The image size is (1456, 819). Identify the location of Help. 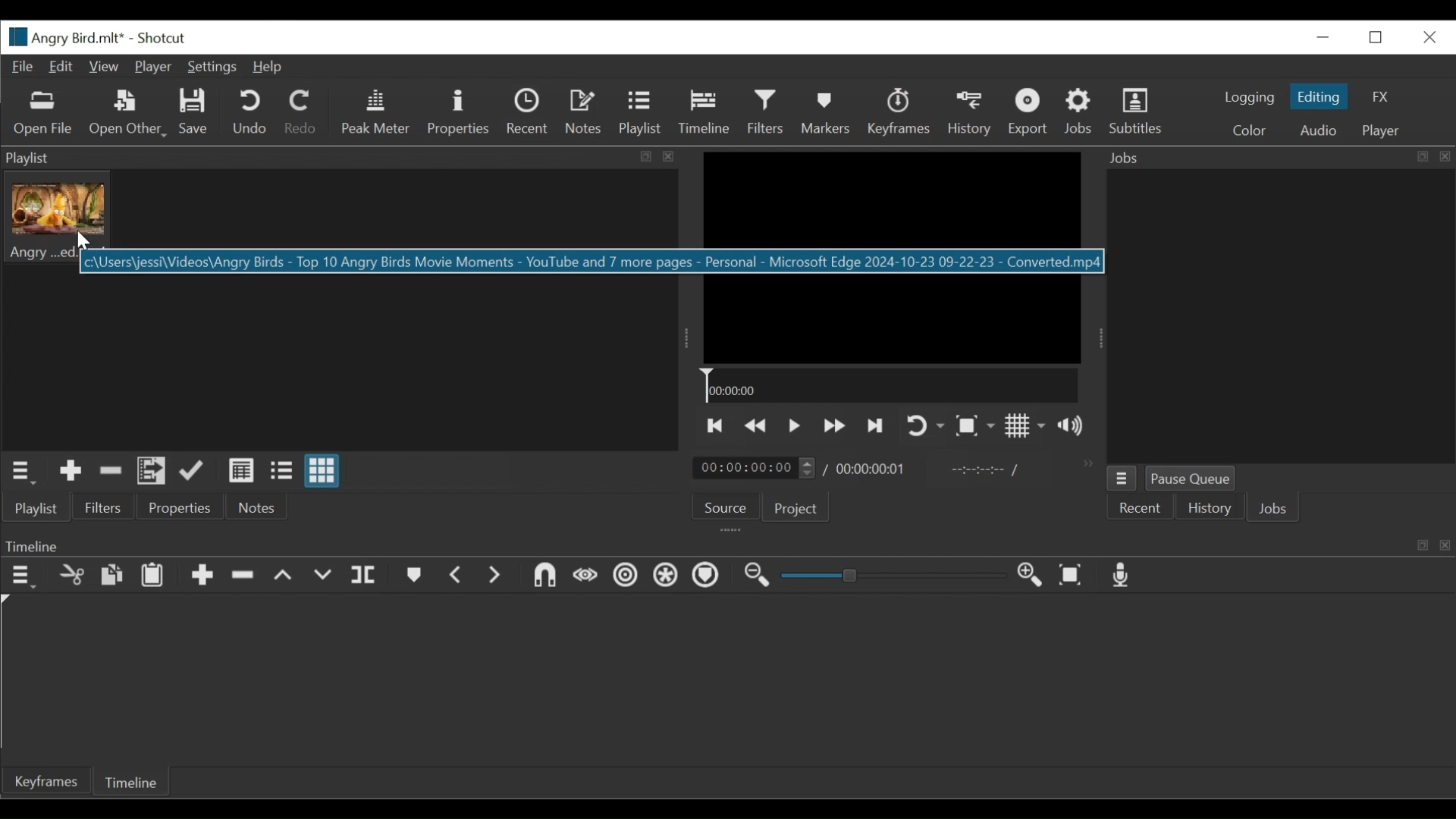
(265, 67).